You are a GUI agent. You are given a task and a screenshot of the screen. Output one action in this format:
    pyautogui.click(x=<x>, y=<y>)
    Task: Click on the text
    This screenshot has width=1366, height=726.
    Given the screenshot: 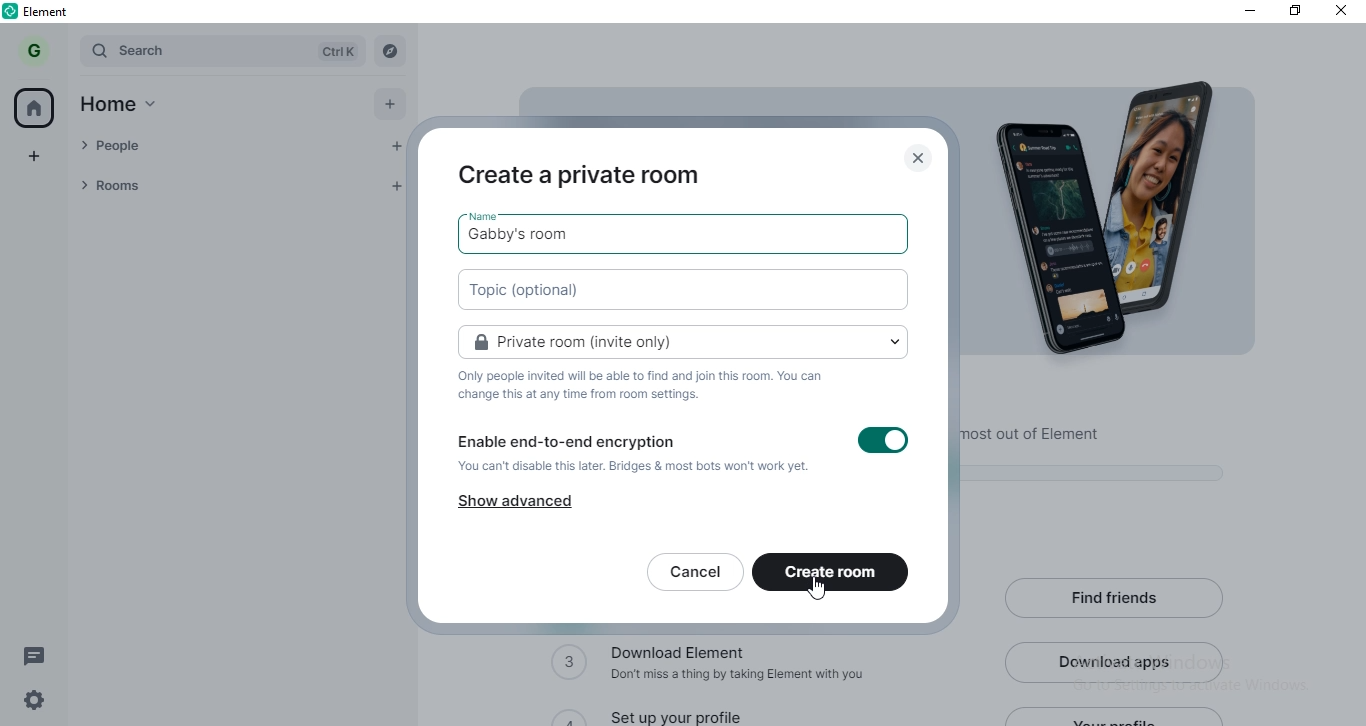 What is the action you would take?
    pyautogui.click(x=648, y=386)
    